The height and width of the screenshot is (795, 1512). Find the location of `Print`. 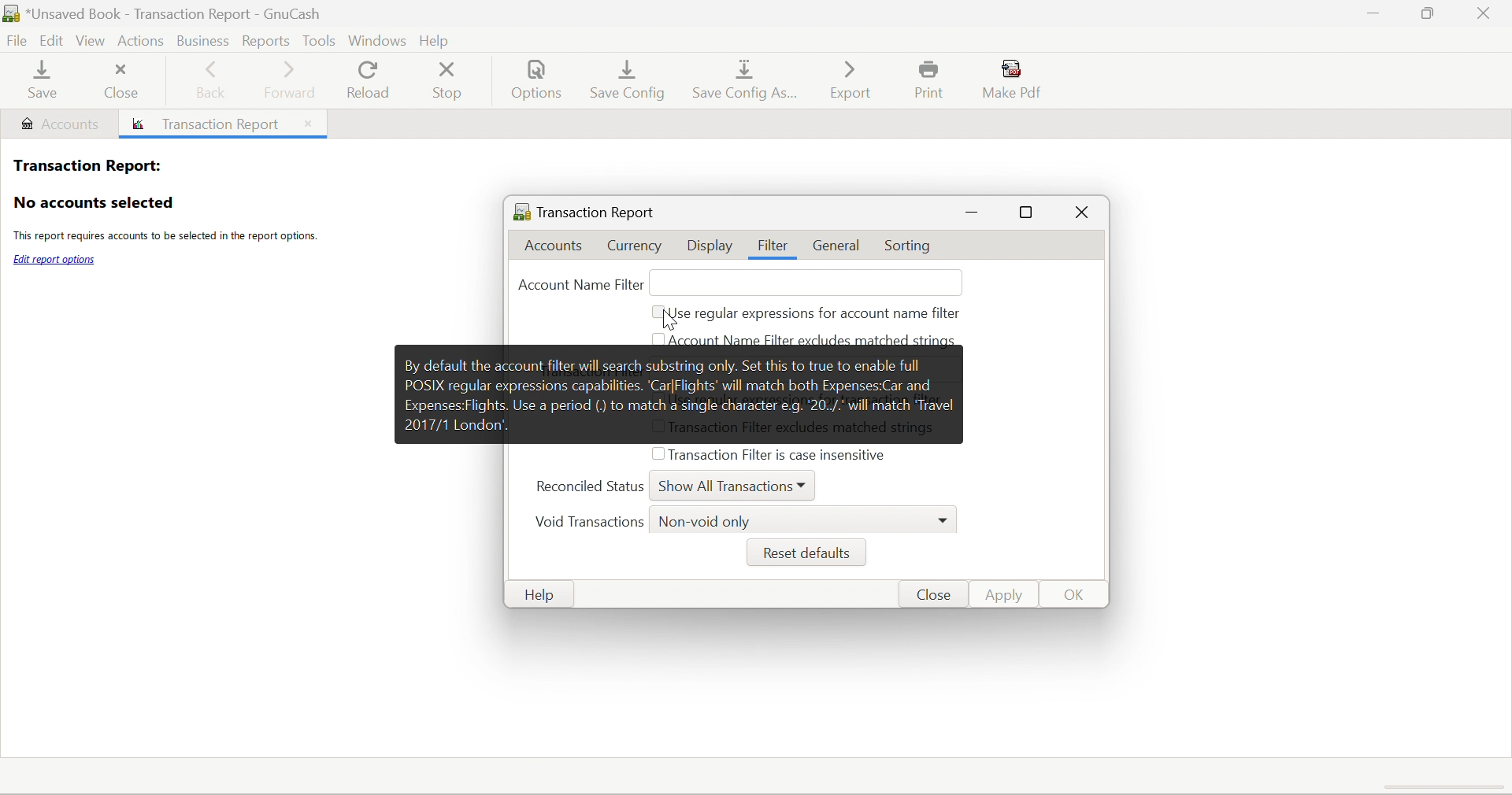

Print is located at coordinates (933, 80).